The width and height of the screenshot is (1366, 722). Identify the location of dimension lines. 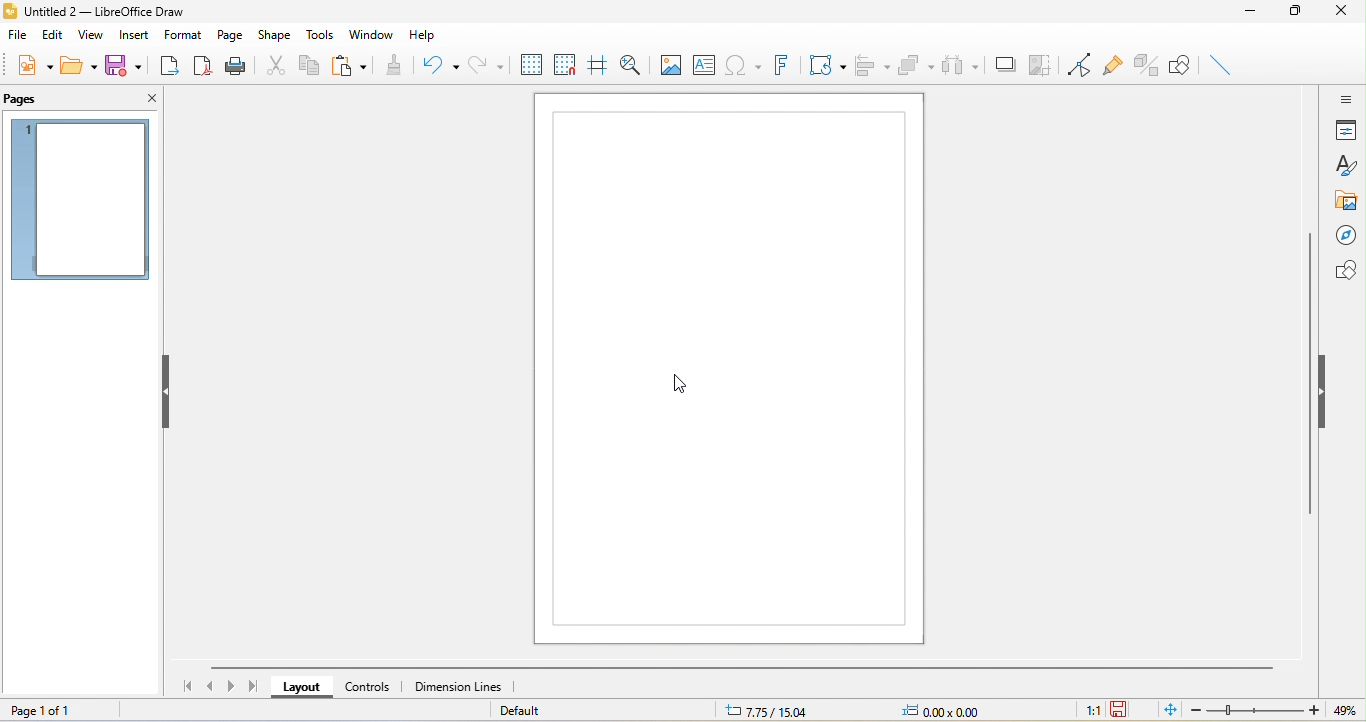
(462, 687).